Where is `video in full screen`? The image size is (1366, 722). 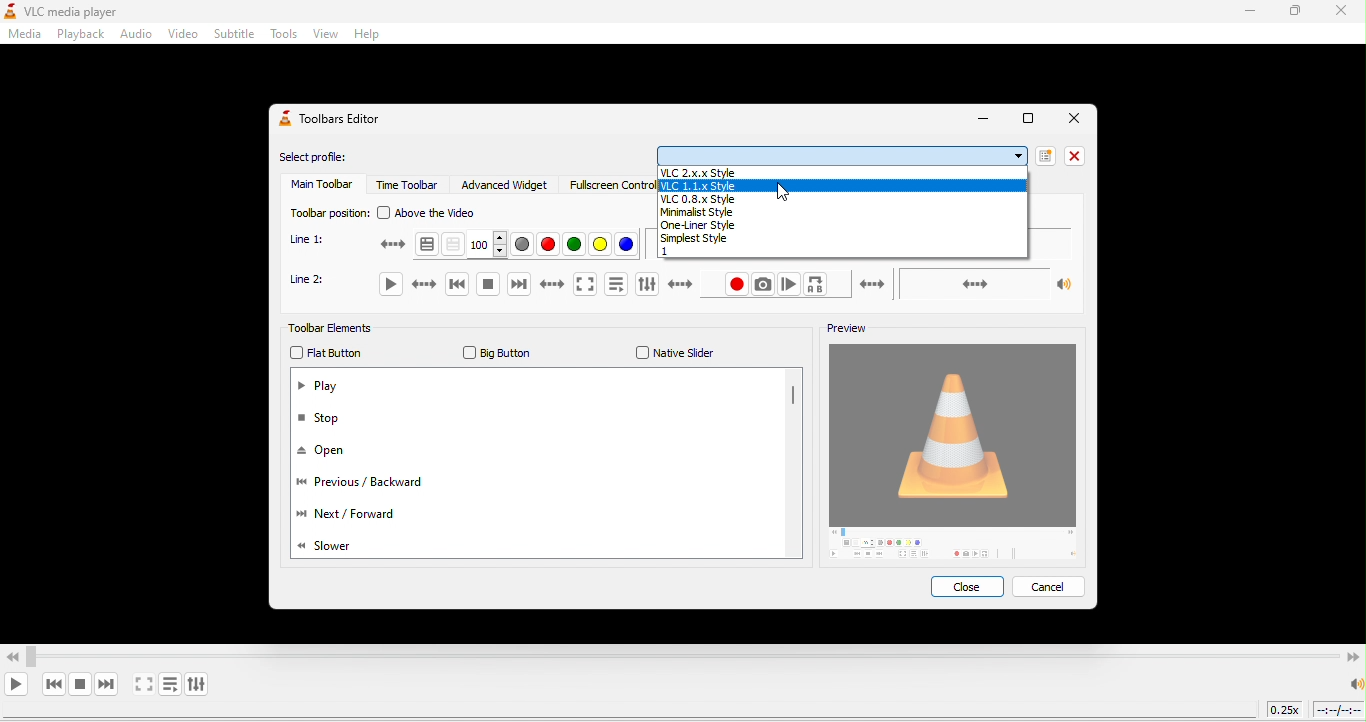
video in full screen is located at coordinates (145, 685).